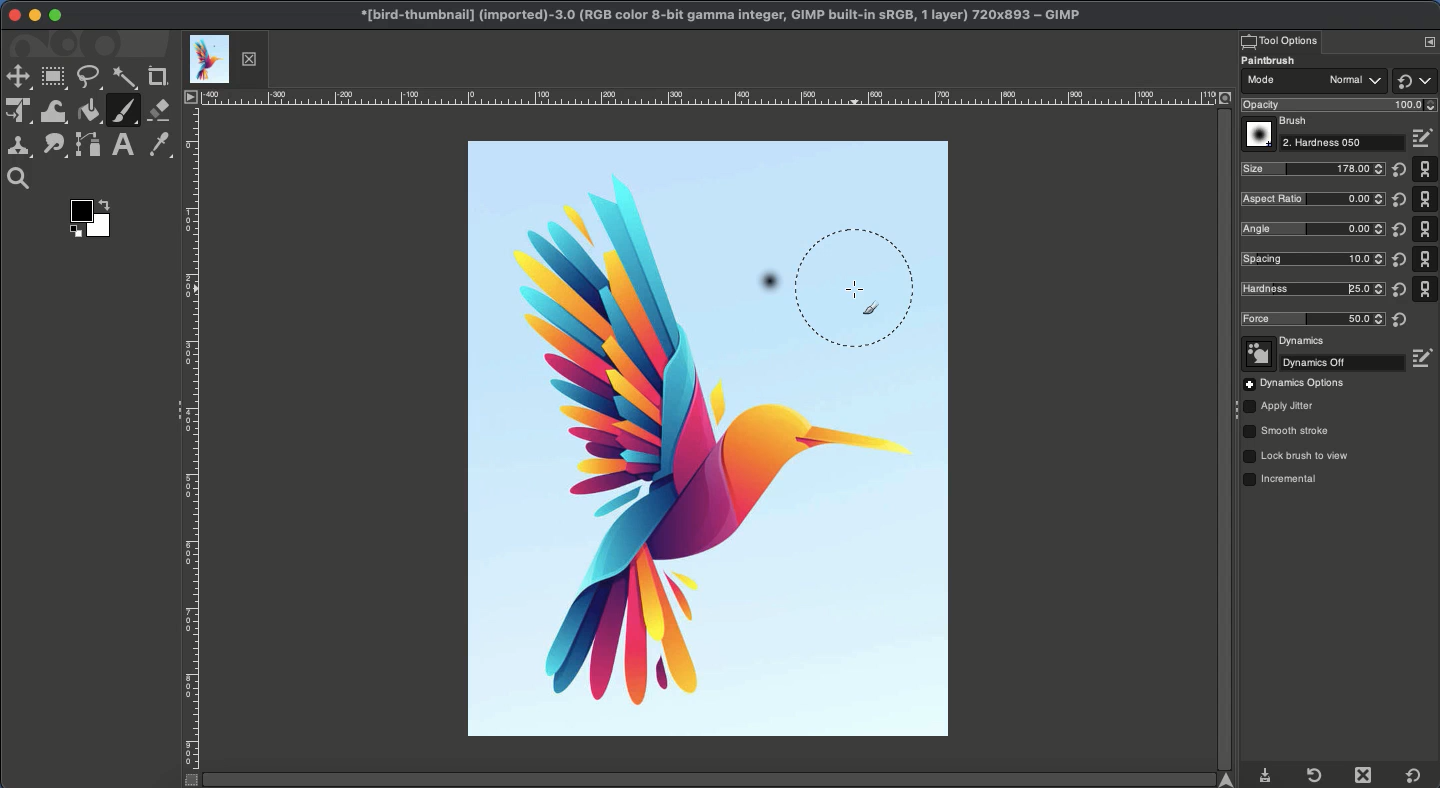  I want to click on Hardness, so click(1308, 288).